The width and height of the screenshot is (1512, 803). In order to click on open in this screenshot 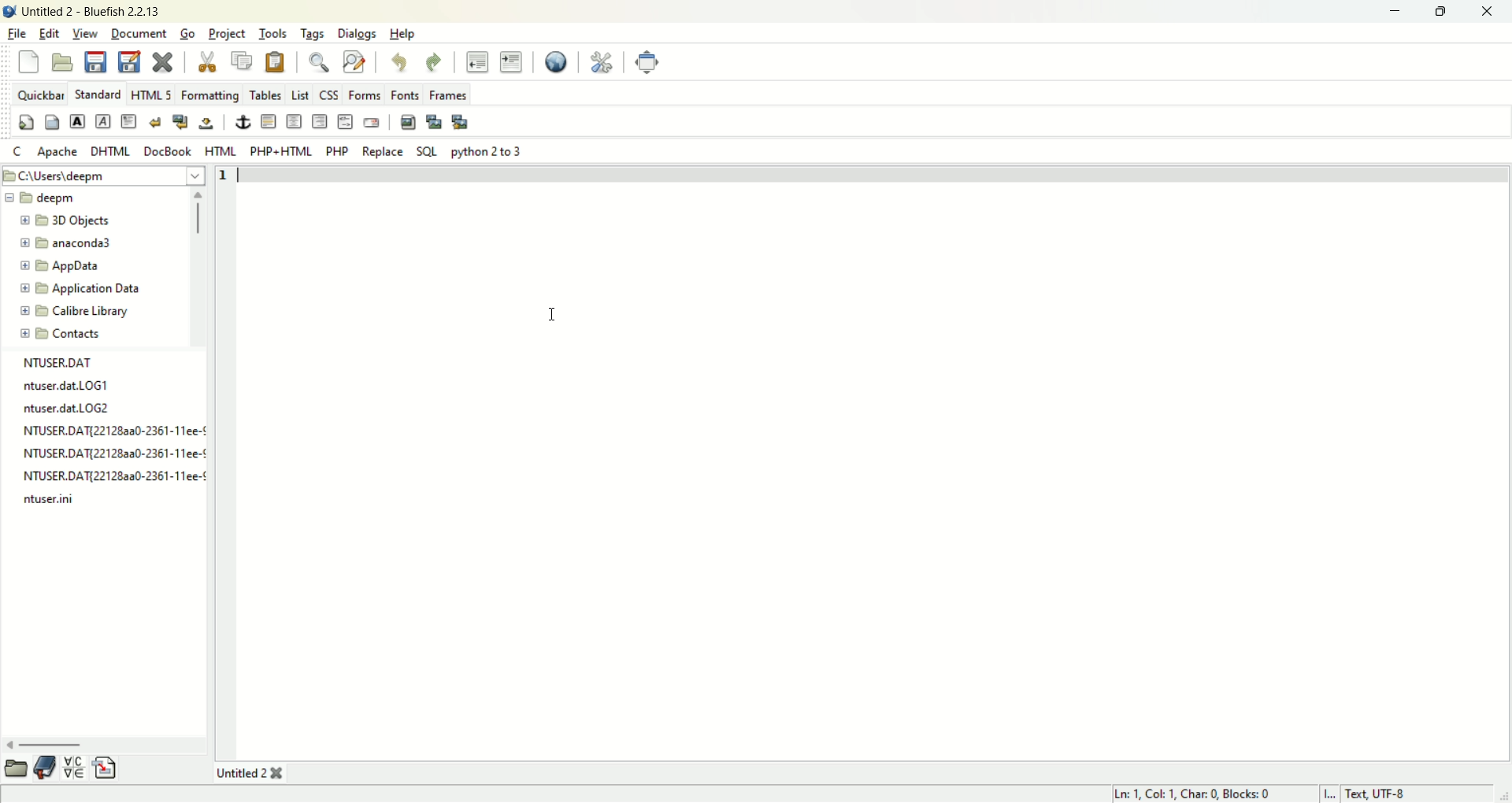, I will do `click(14, 768)`.